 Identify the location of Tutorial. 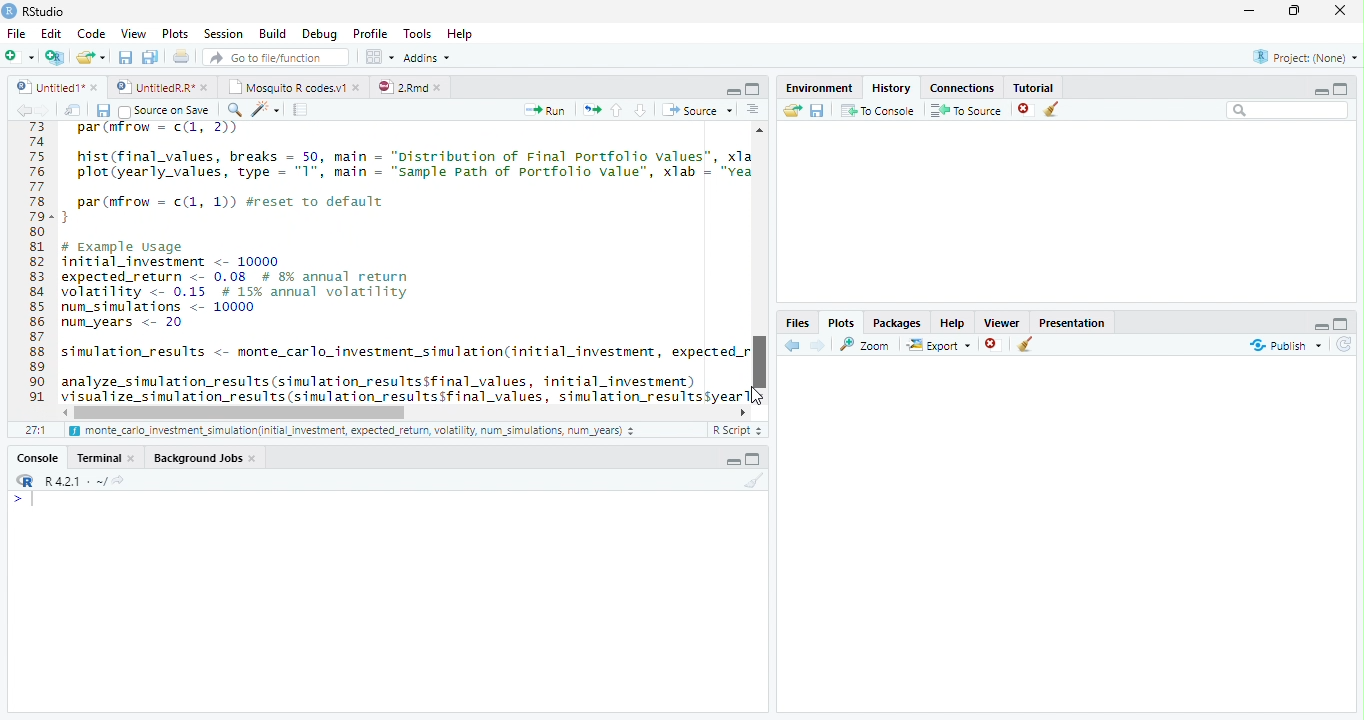
(1030, 85).